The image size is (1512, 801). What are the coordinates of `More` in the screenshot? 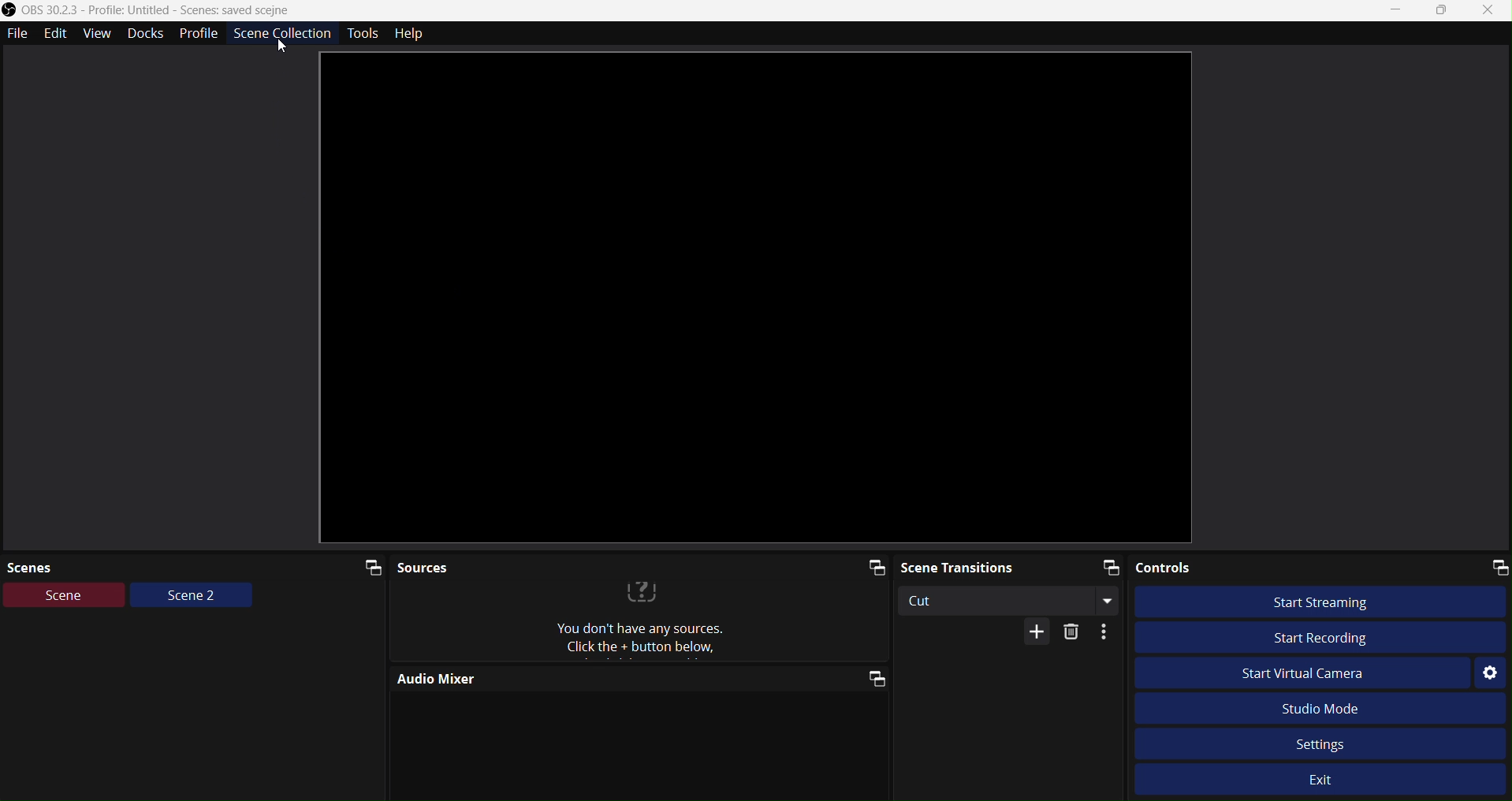 It's located at (1039, 631).